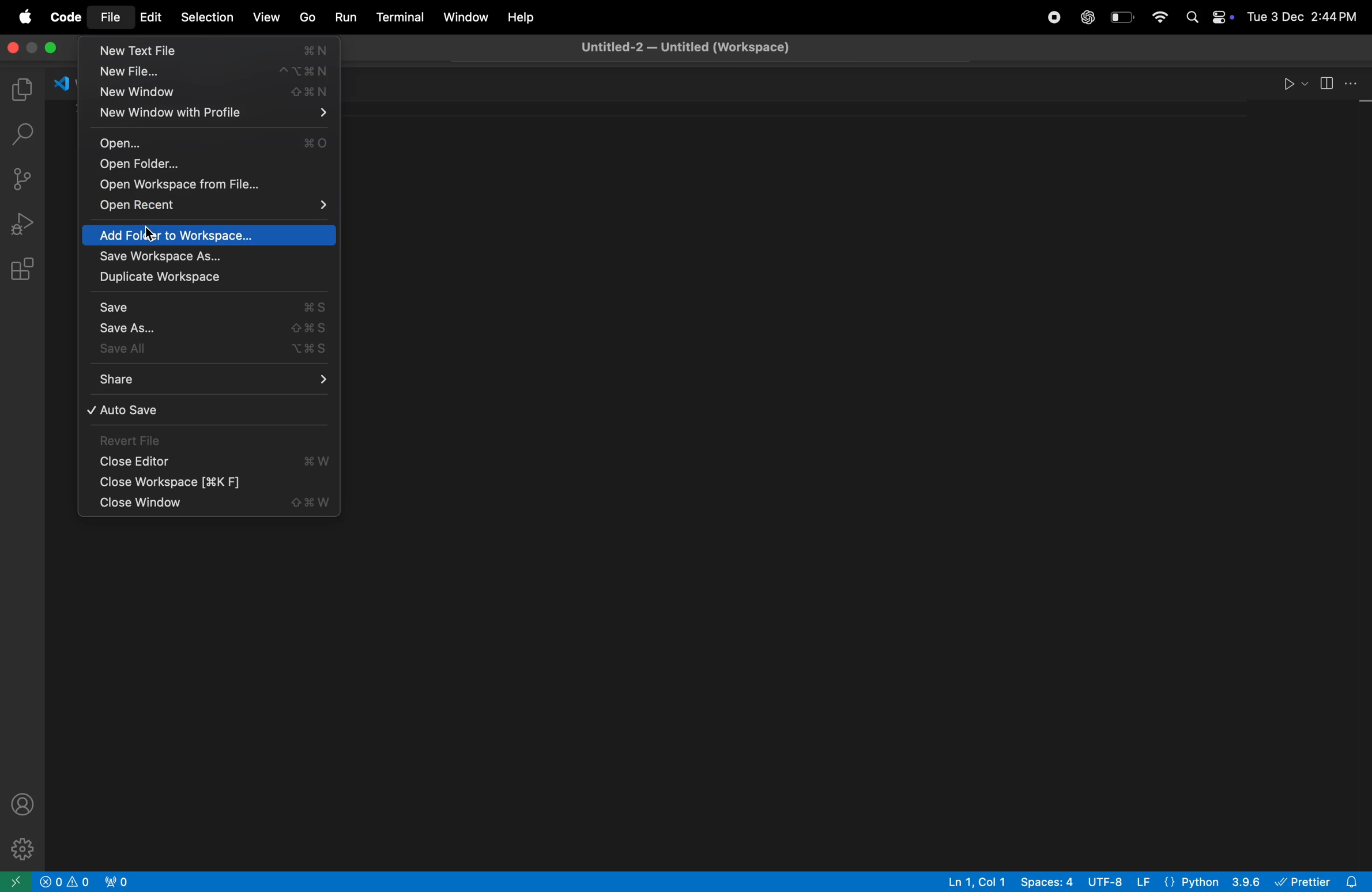 The height and width of the screenshot is (892, 1372). What do you see at coordinates (209, 307) in the screenshot?
I see `save` at bounding box center [209, 307].